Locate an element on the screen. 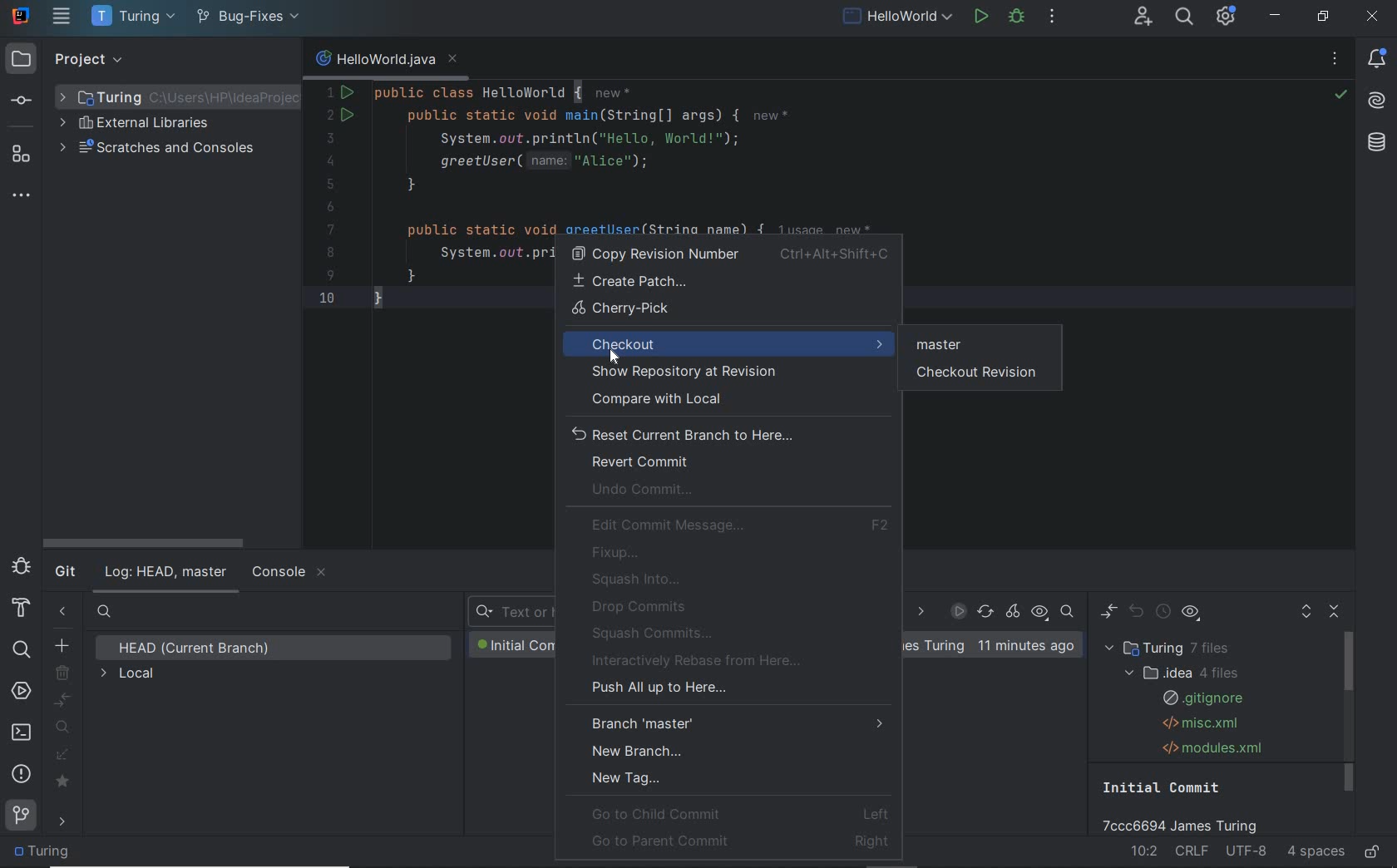 This screenshot has height=868, width=1397. problems is located at coordinates (22, 773).